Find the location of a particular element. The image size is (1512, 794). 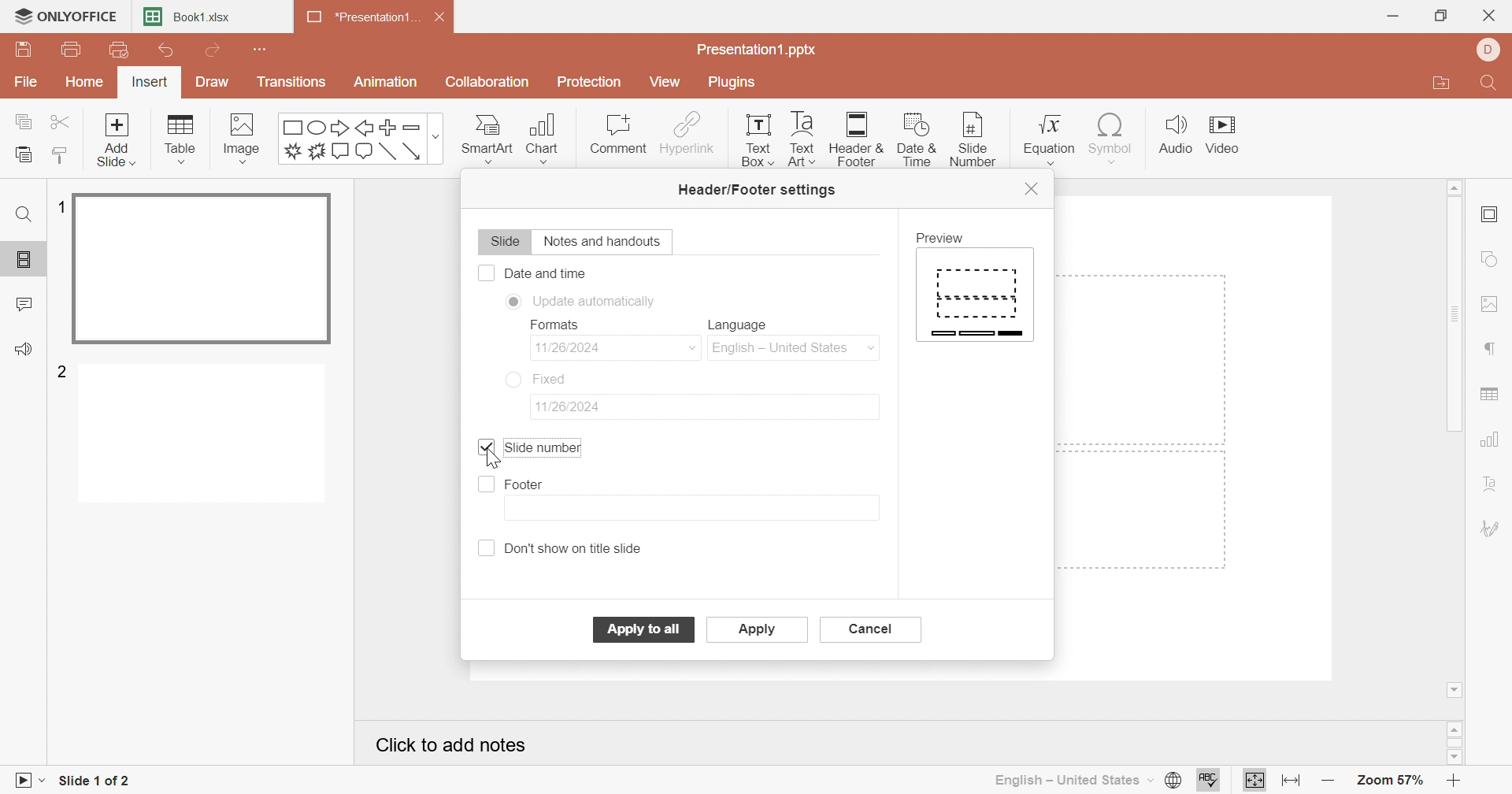

Comments is located at coordinates (25, 305).